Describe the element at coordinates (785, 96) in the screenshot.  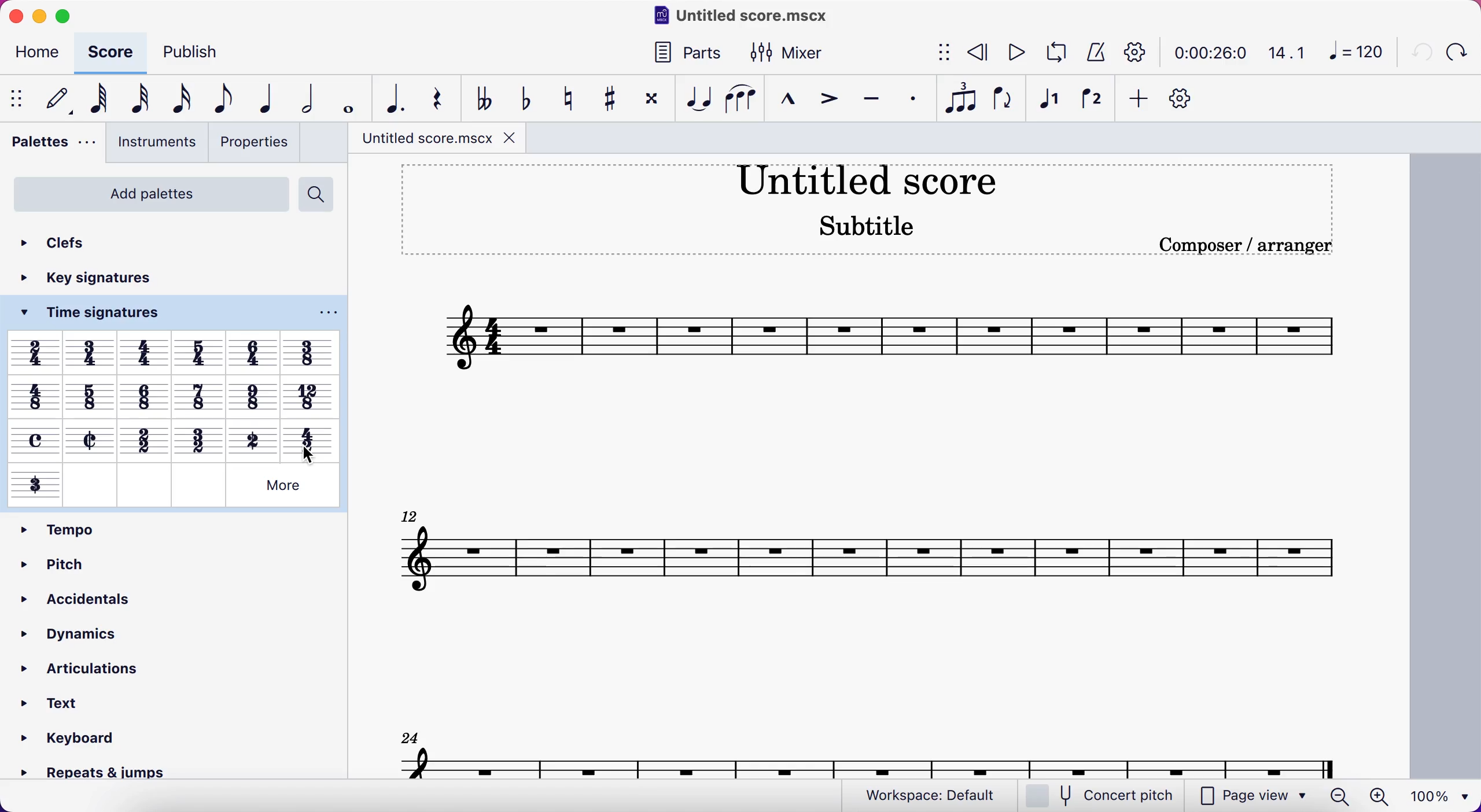
I see `marcato` at that location.